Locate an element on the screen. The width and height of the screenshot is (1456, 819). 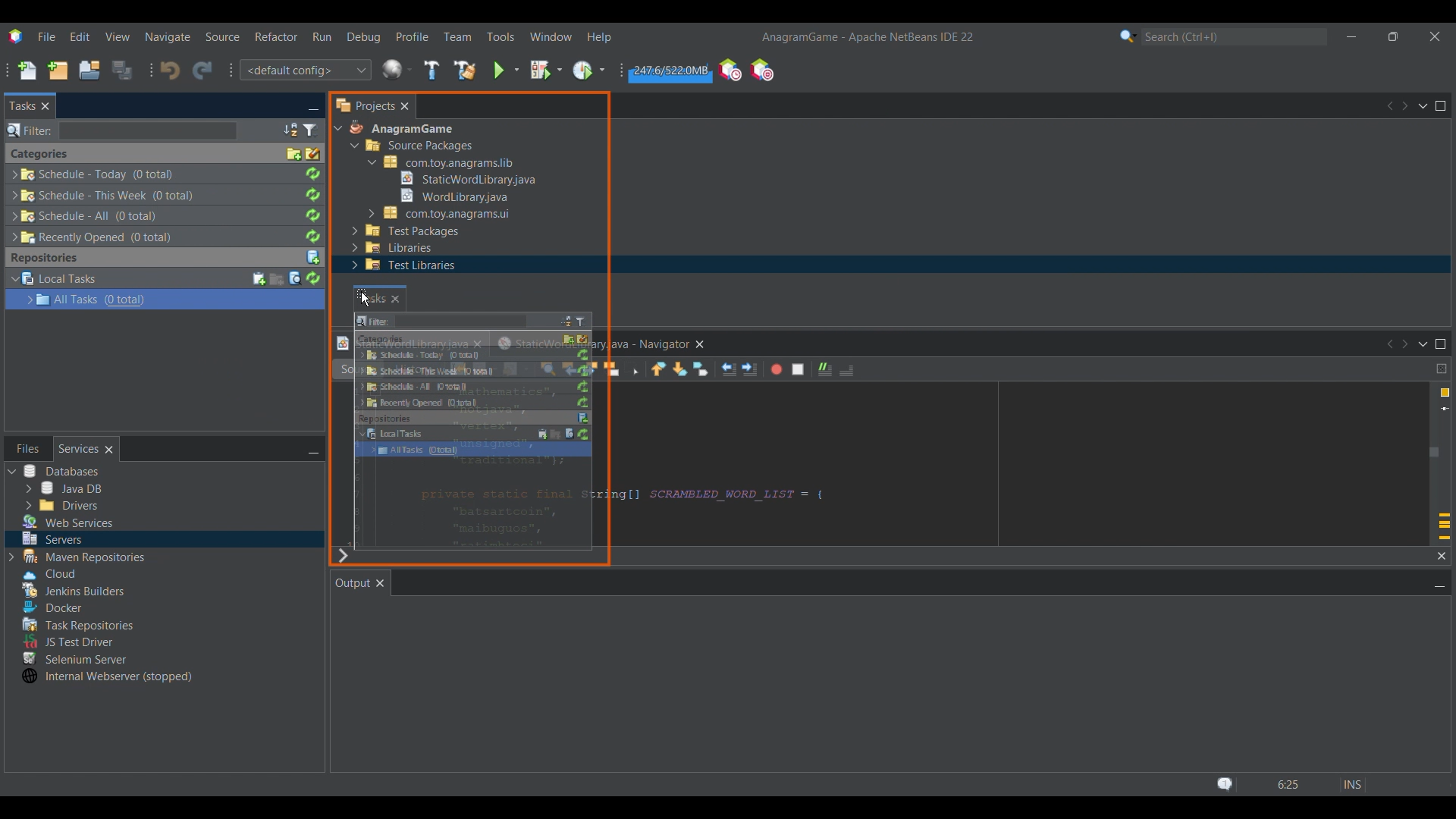
Pause I/O checks is located at coordinates (761, 70).